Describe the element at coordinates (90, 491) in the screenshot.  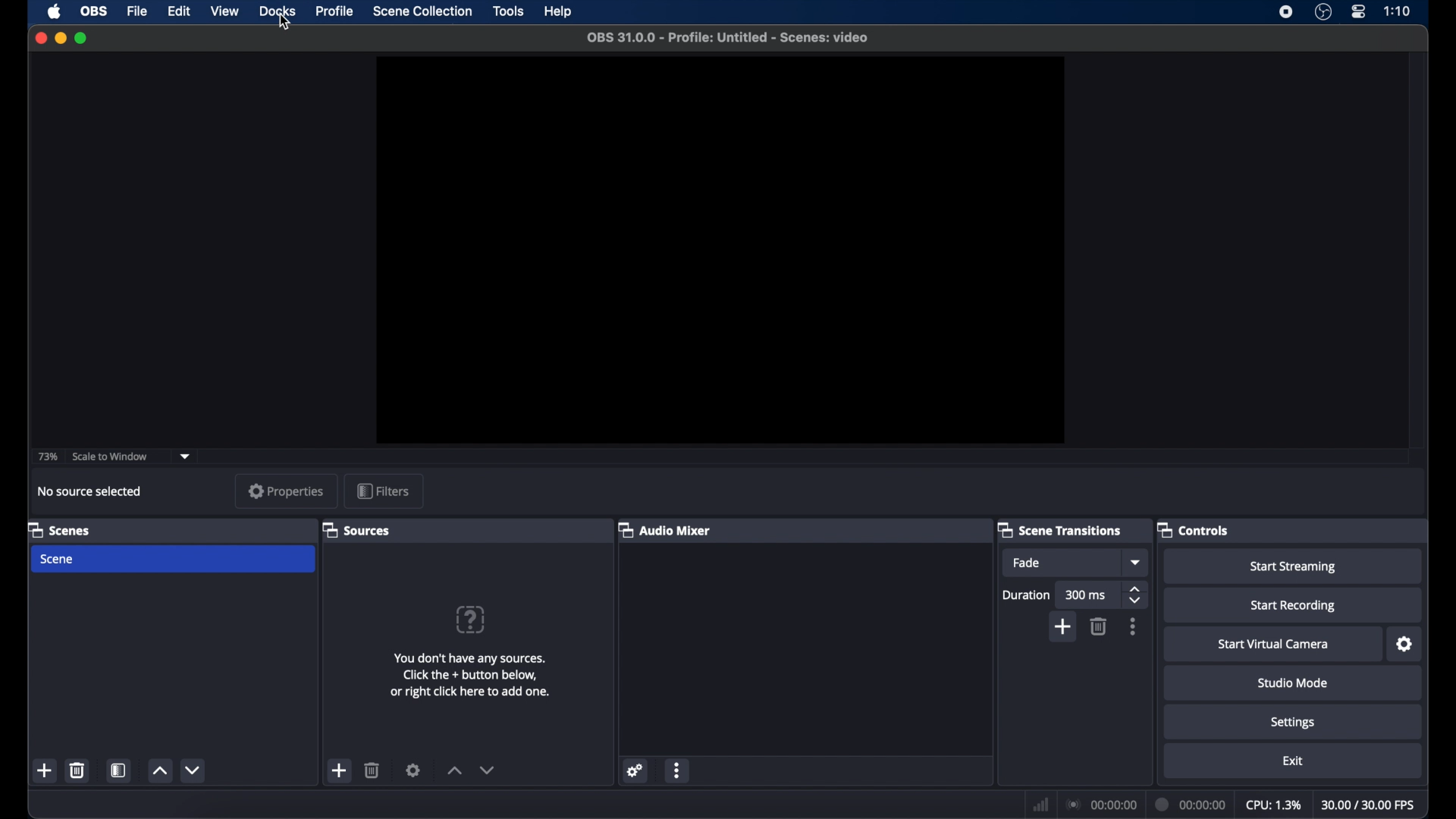
I see `no source selected` at that location.